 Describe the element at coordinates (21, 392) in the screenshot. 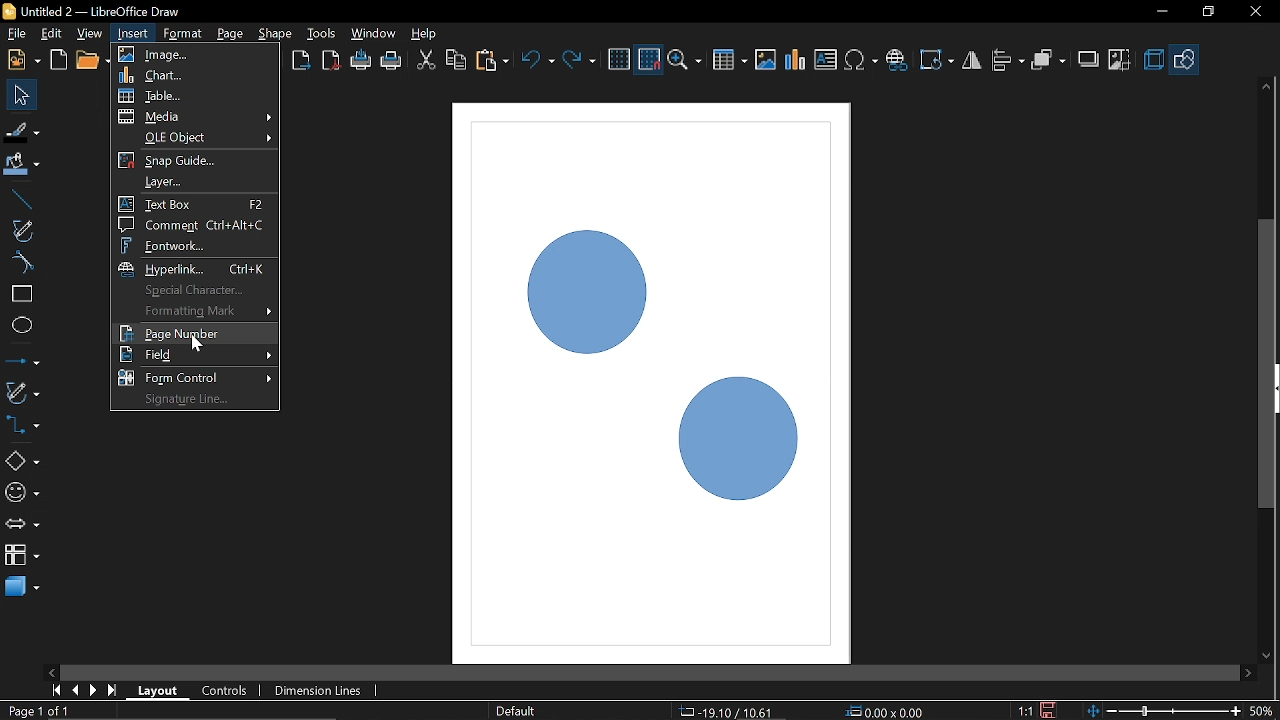

I see `Curves and polygons` at that location.